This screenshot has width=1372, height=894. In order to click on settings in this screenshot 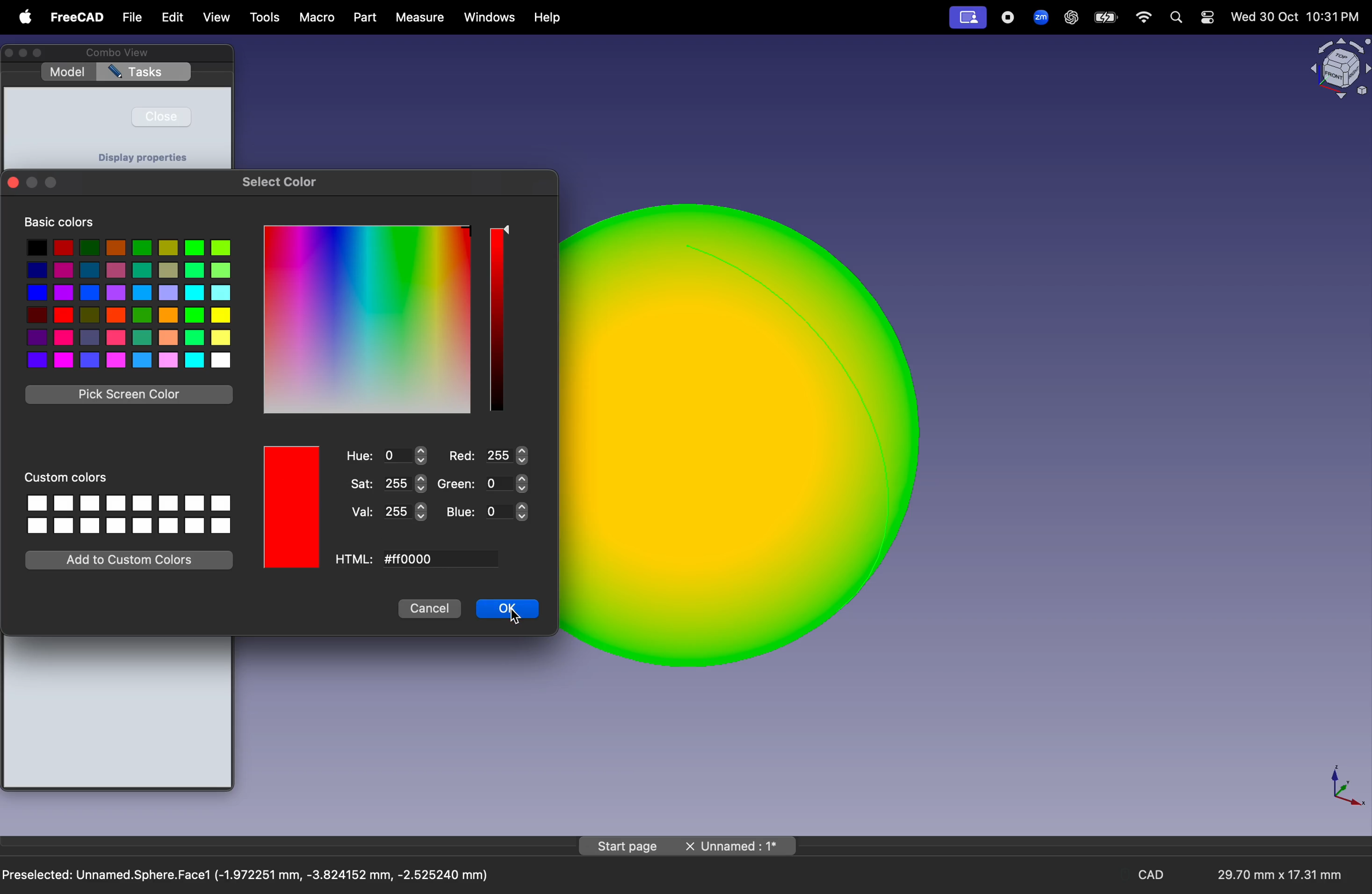, I will do `click(1207, 17)`.